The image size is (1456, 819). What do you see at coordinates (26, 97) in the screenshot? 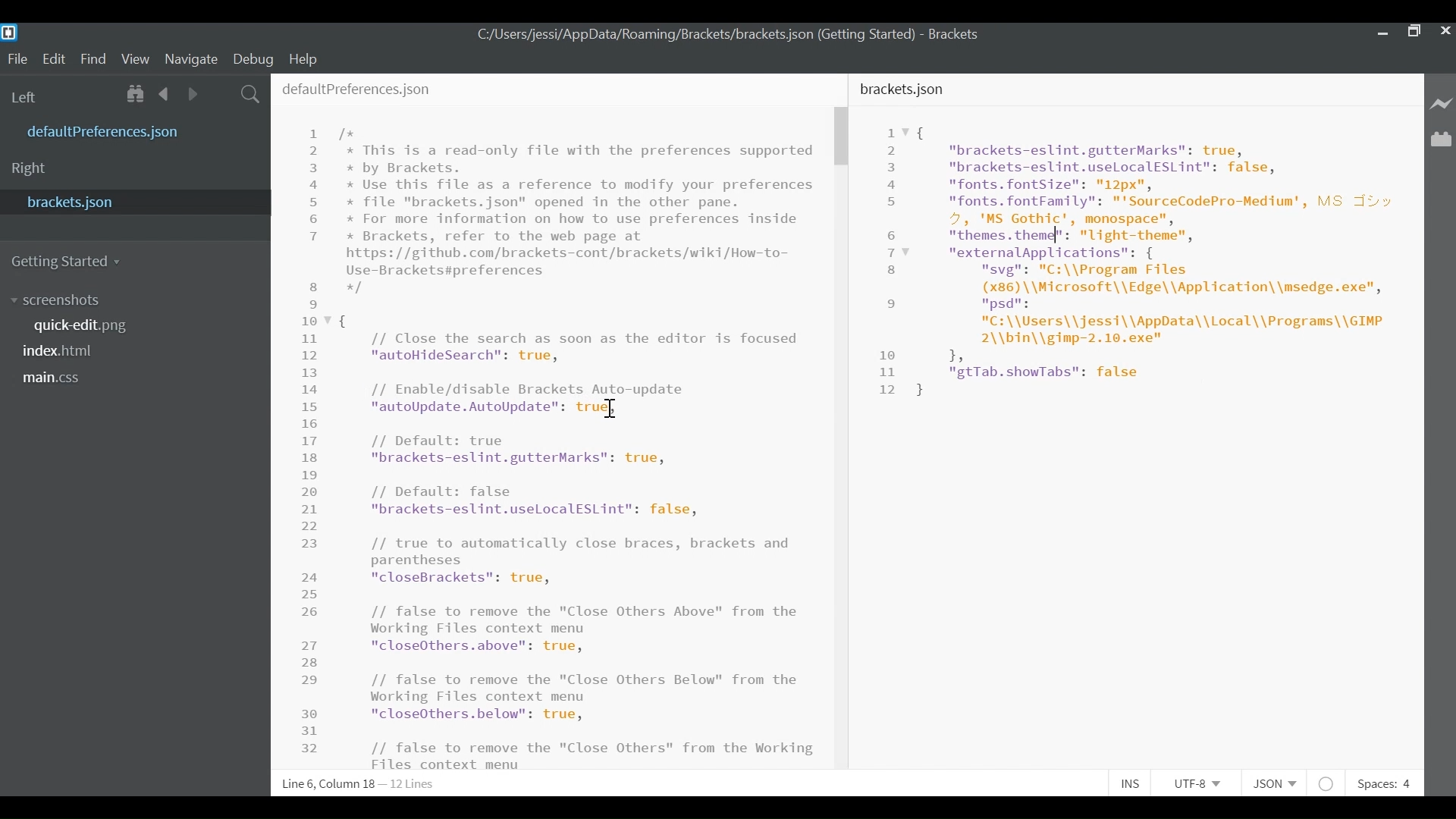
I see `Left` at bounding box center [26, 97].